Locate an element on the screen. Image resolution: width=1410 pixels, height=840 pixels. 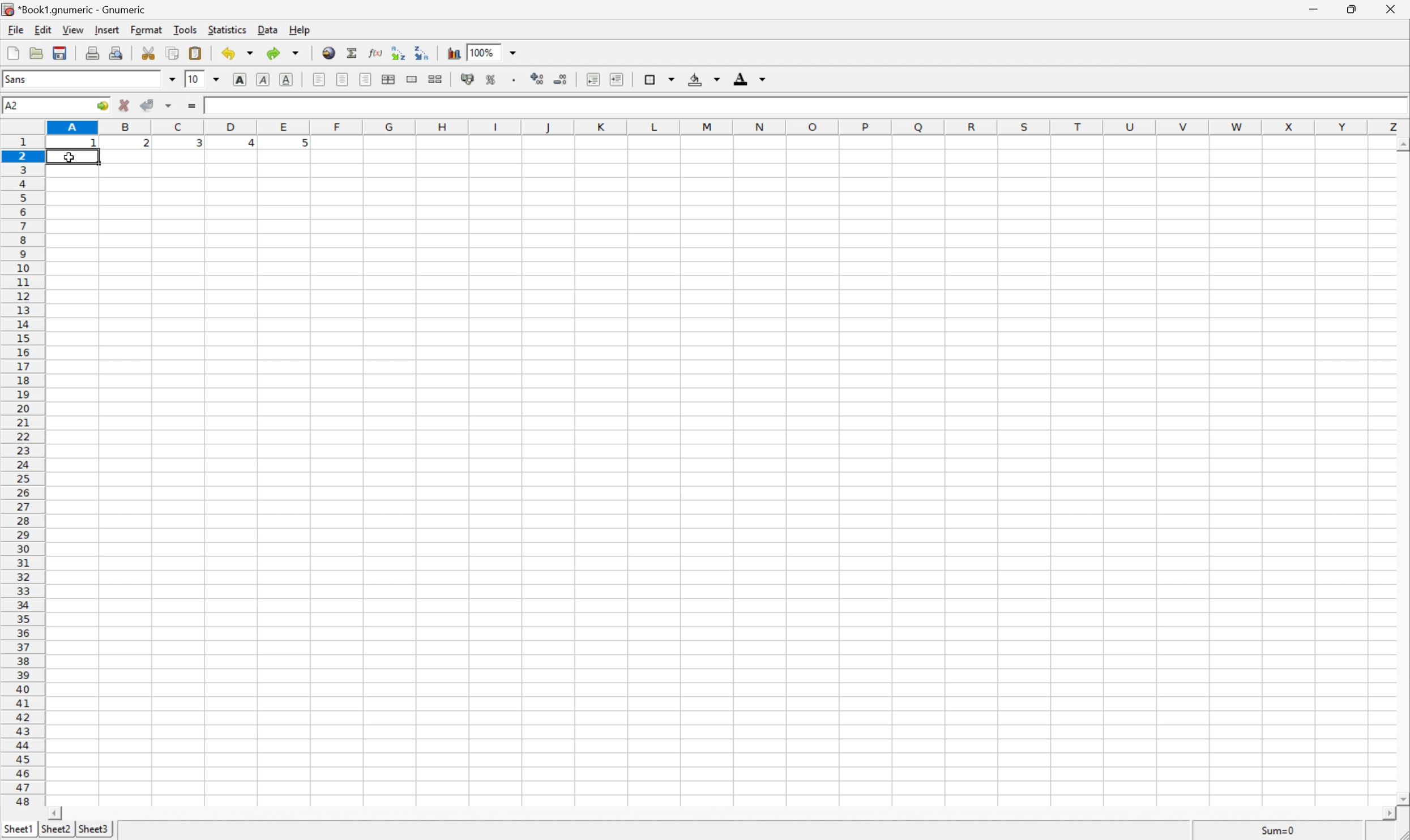
accept changes across selection is located at coordinates (168, 106).